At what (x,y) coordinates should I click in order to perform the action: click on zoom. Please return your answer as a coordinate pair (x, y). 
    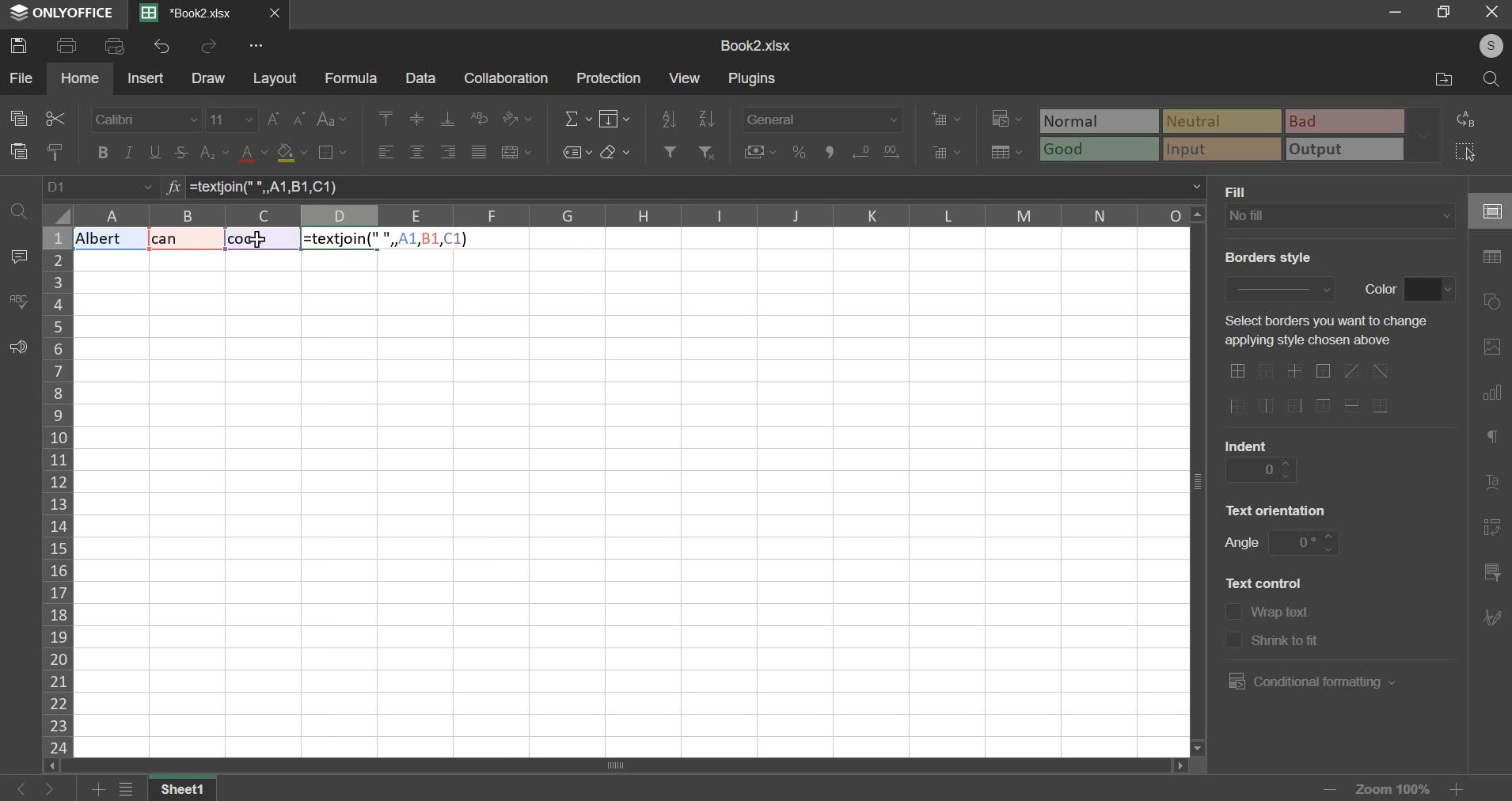
    Looking at the image, I should click on (1391, 787).